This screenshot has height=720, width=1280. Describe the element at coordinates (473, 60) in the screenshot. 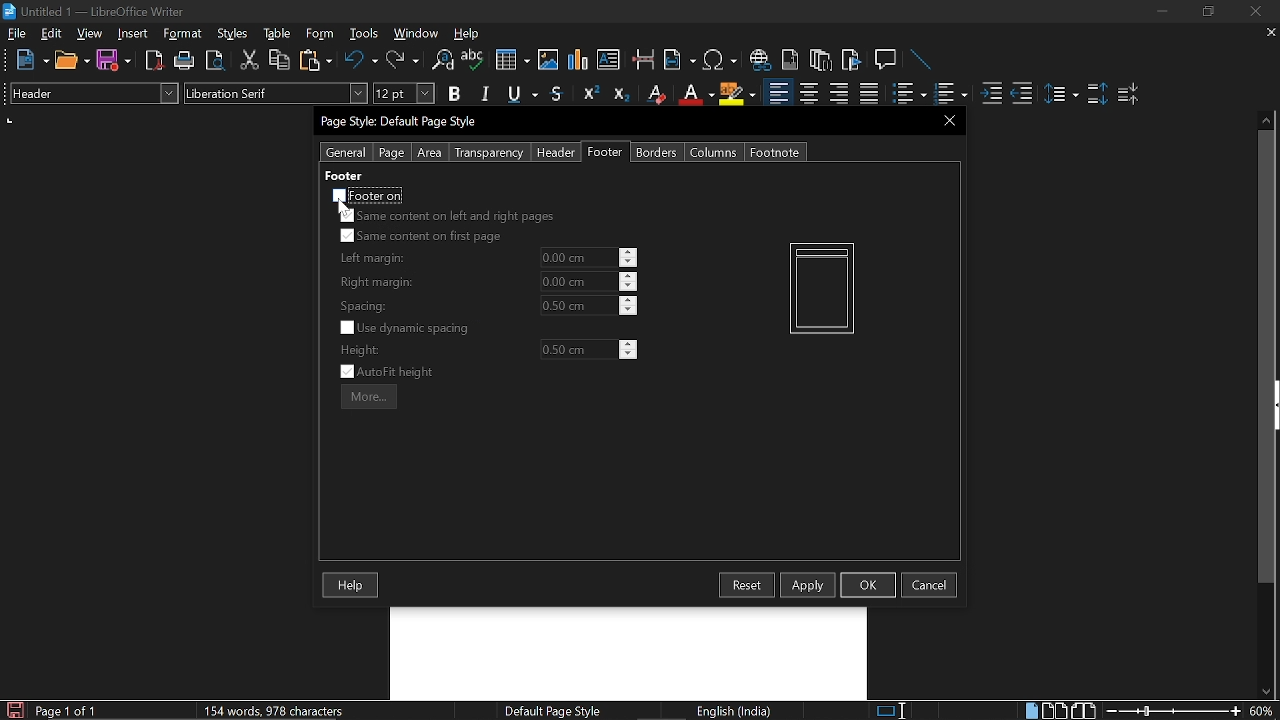

I see `Spell check` at that location.